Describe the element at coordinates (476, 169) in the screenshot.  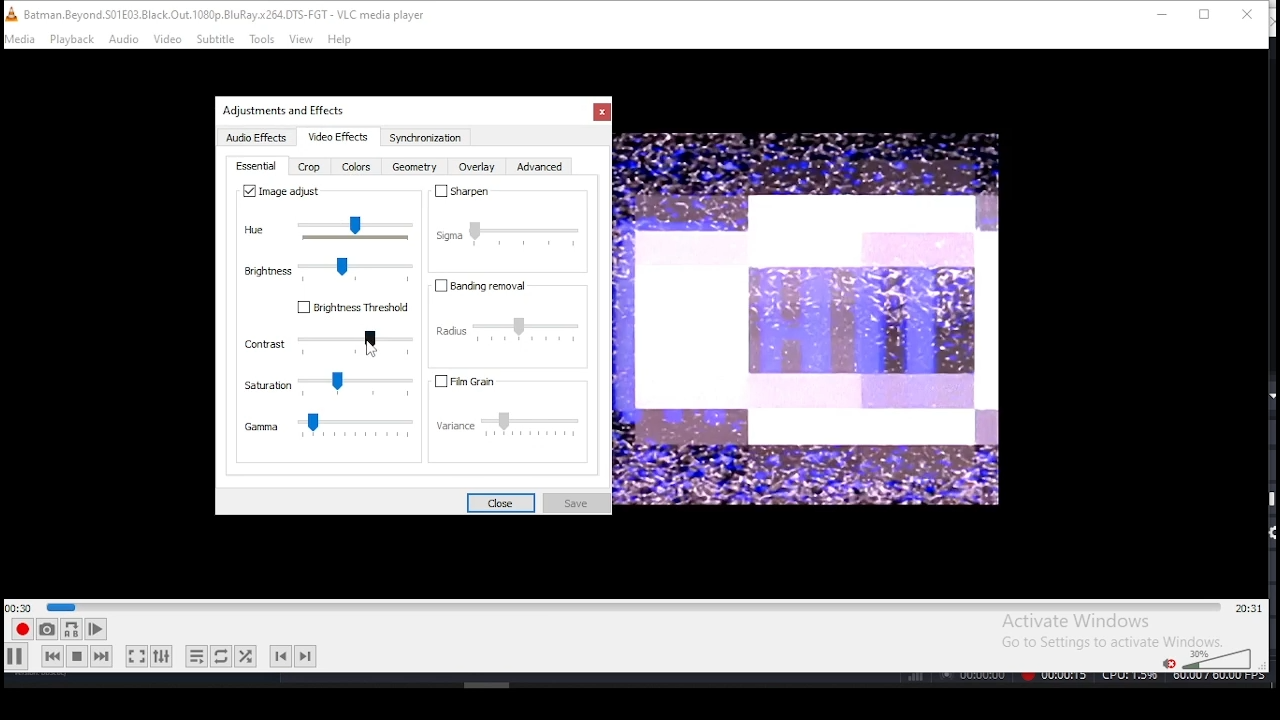
I see `overlay` at that location.